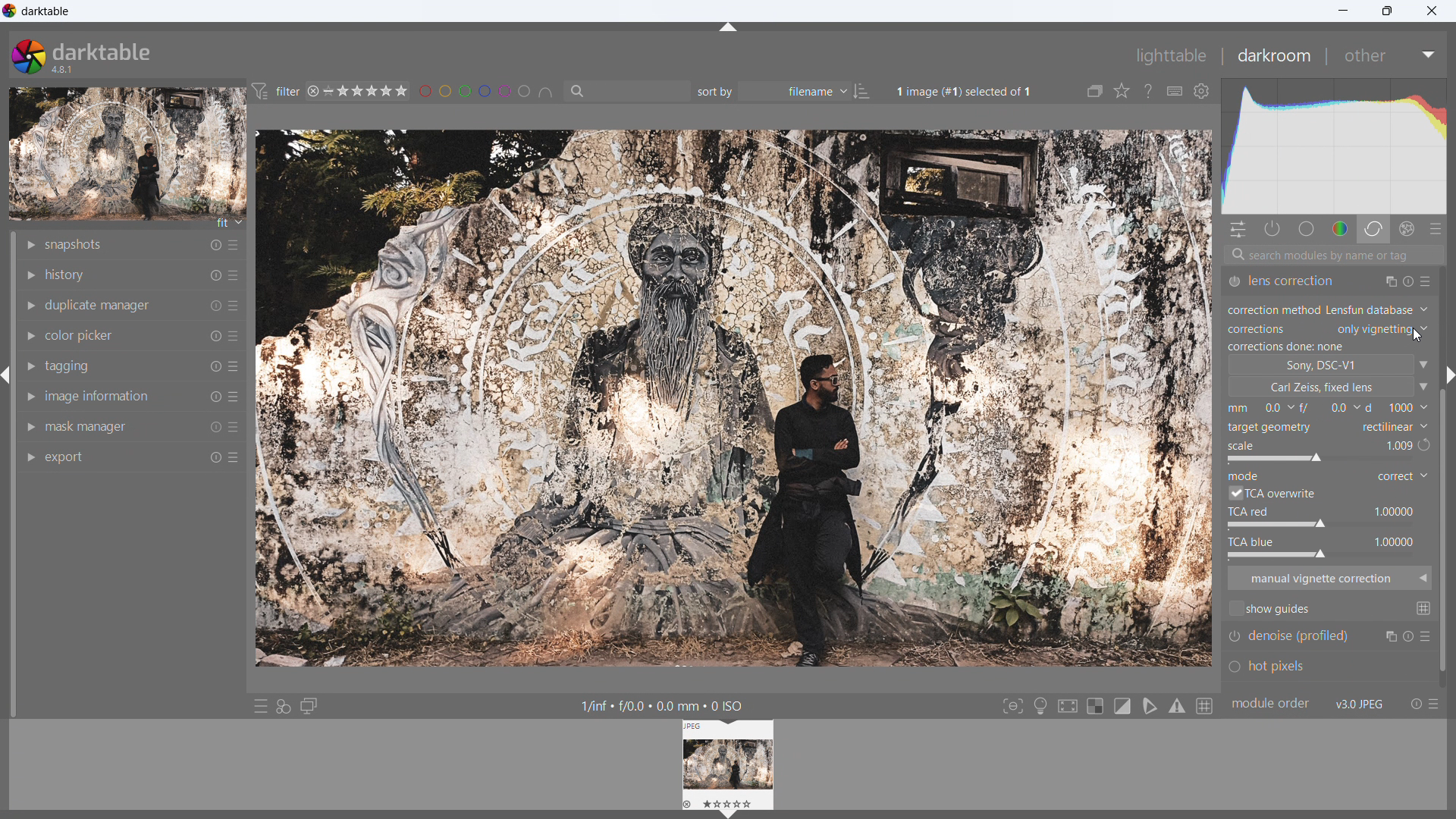  I want to click on show module, so click(31, 428).